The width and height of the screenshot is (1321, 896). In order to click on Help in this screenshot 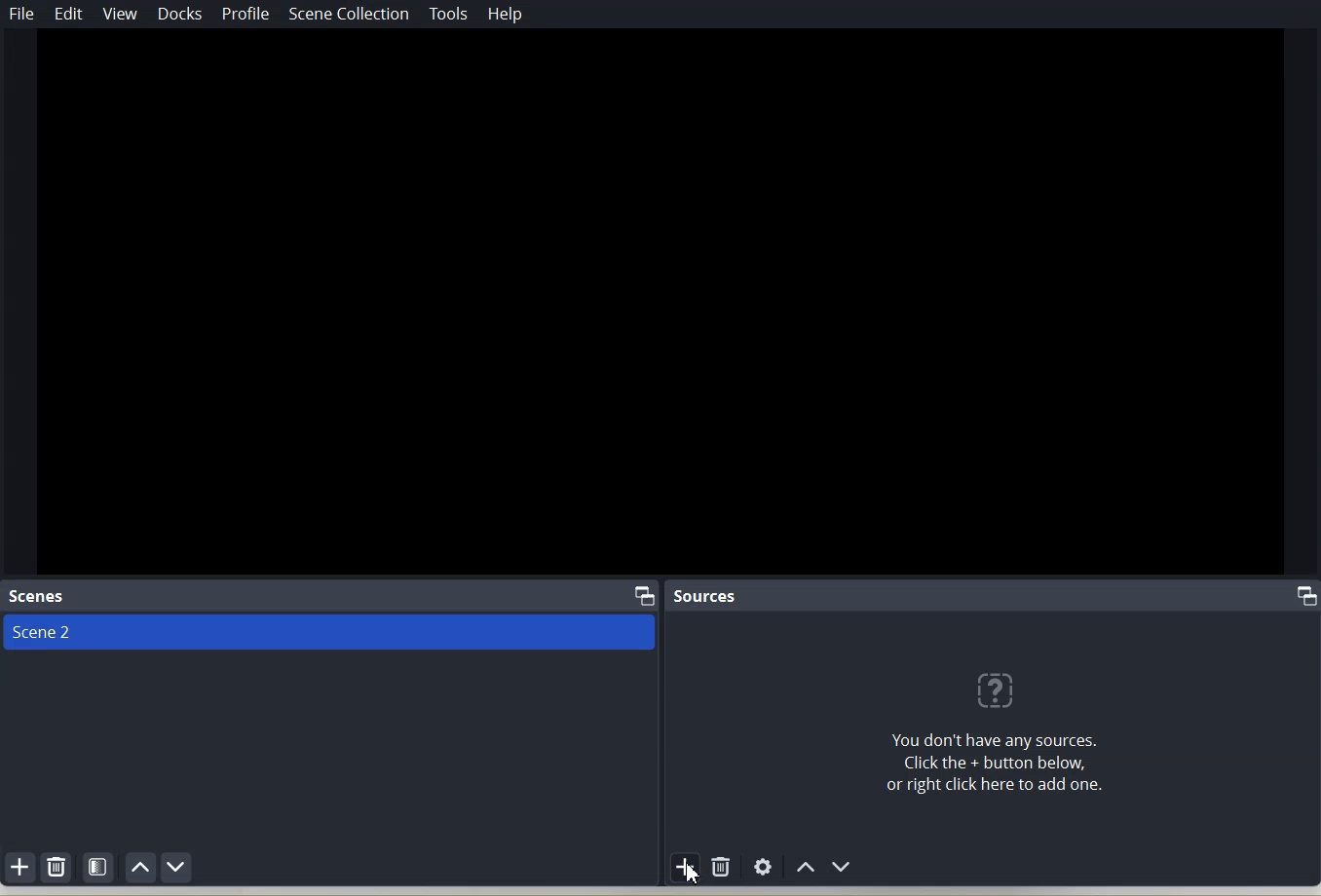, I will do `click(506, 14)`.